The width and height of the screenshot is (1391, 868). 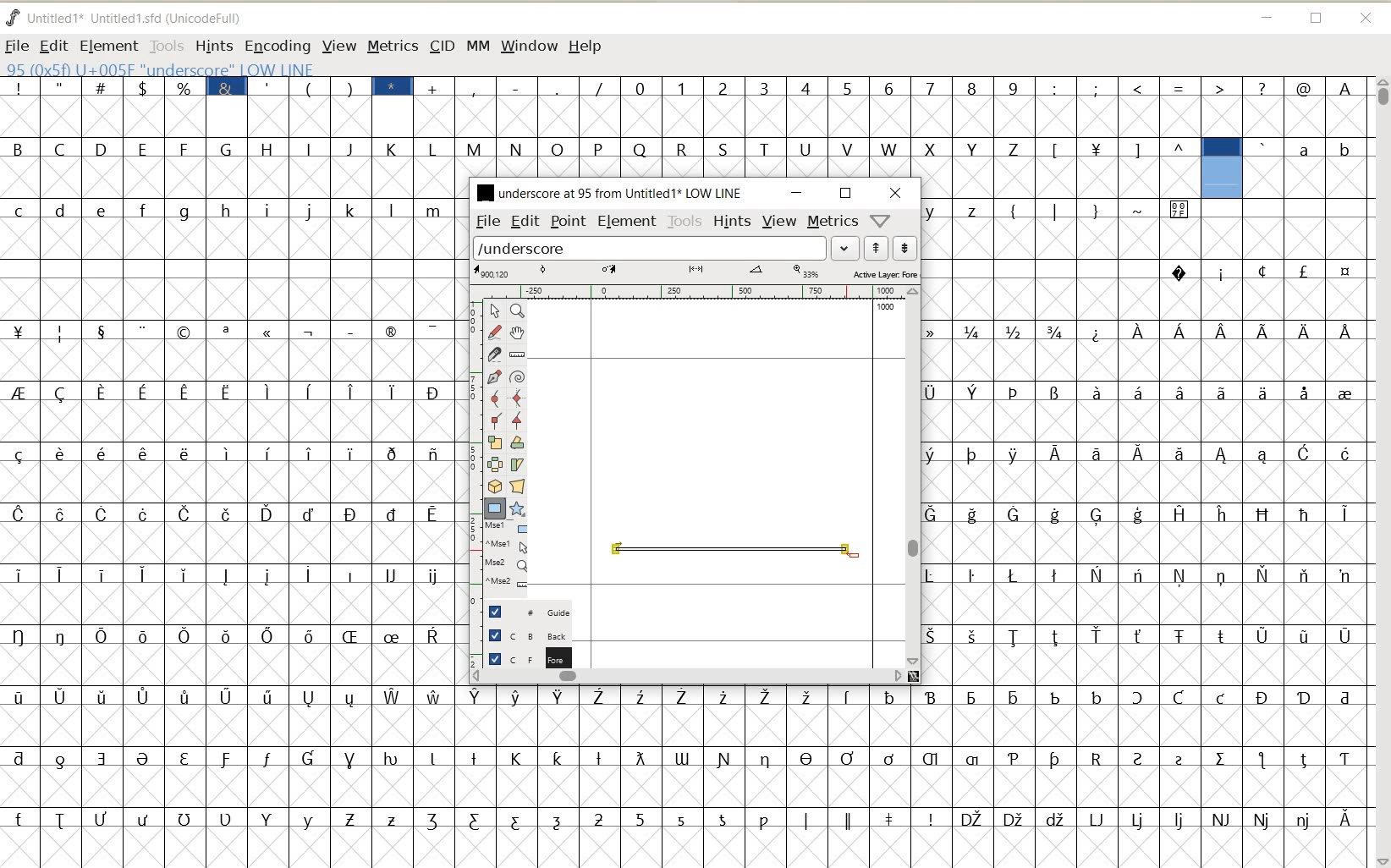 I want to click on VIEW, so click(x=779, y=219).